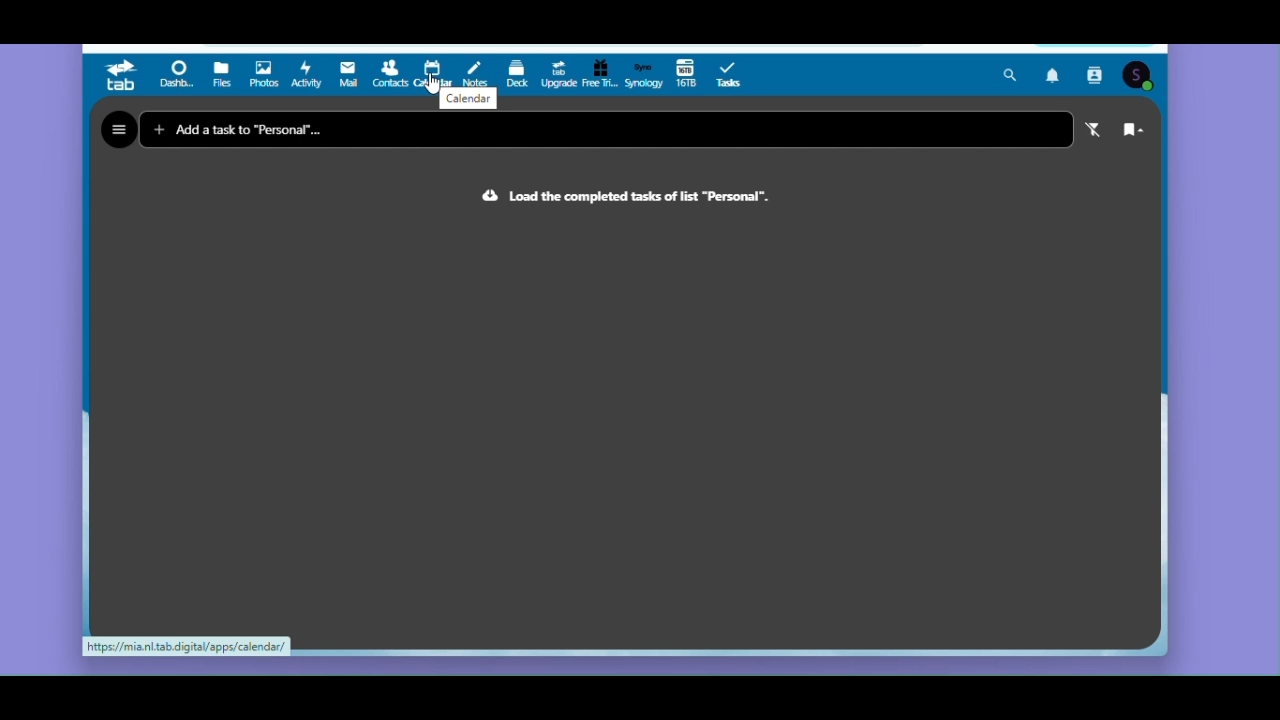  What do you see at coordinates (469, 100) in the screenshot?
I see `Calendar` at bounding box center [469, 100].